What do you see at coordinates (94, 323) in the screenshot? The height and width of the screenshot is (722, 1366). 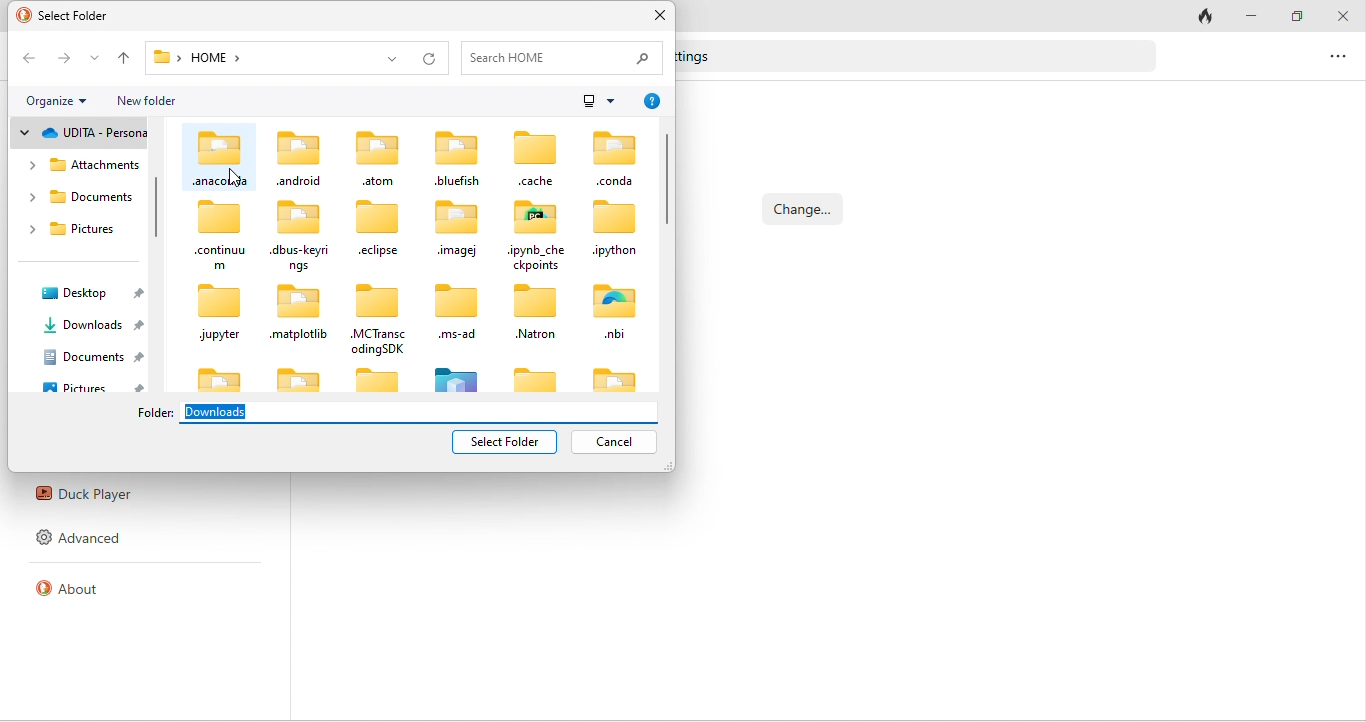 I see `downloads` at bounding box center [94, 323].